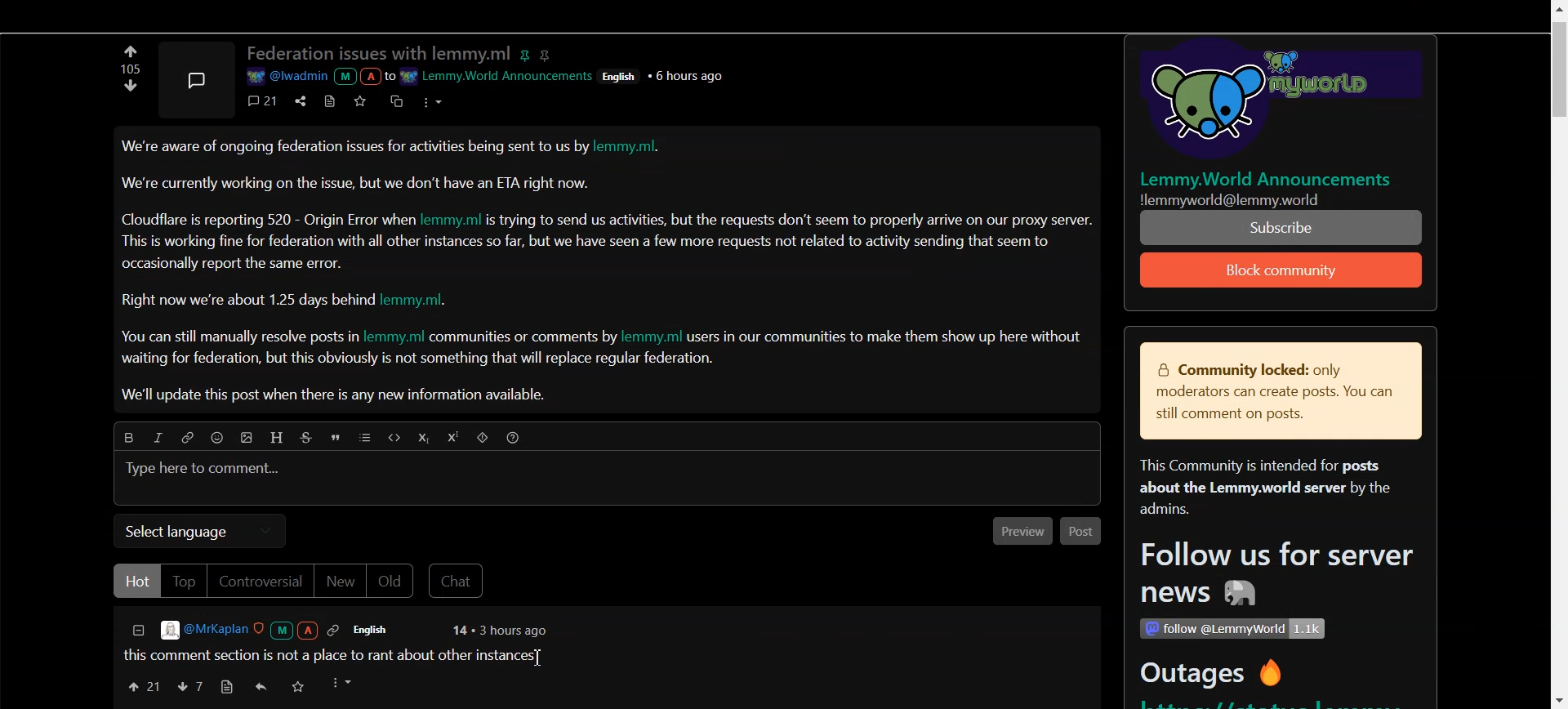 The image size is (1568, 709). Describe the element at coordinates (269, 219) in the screenshot. I see `Cloudflare is reporting 520 - Origin Error wher` at that location.